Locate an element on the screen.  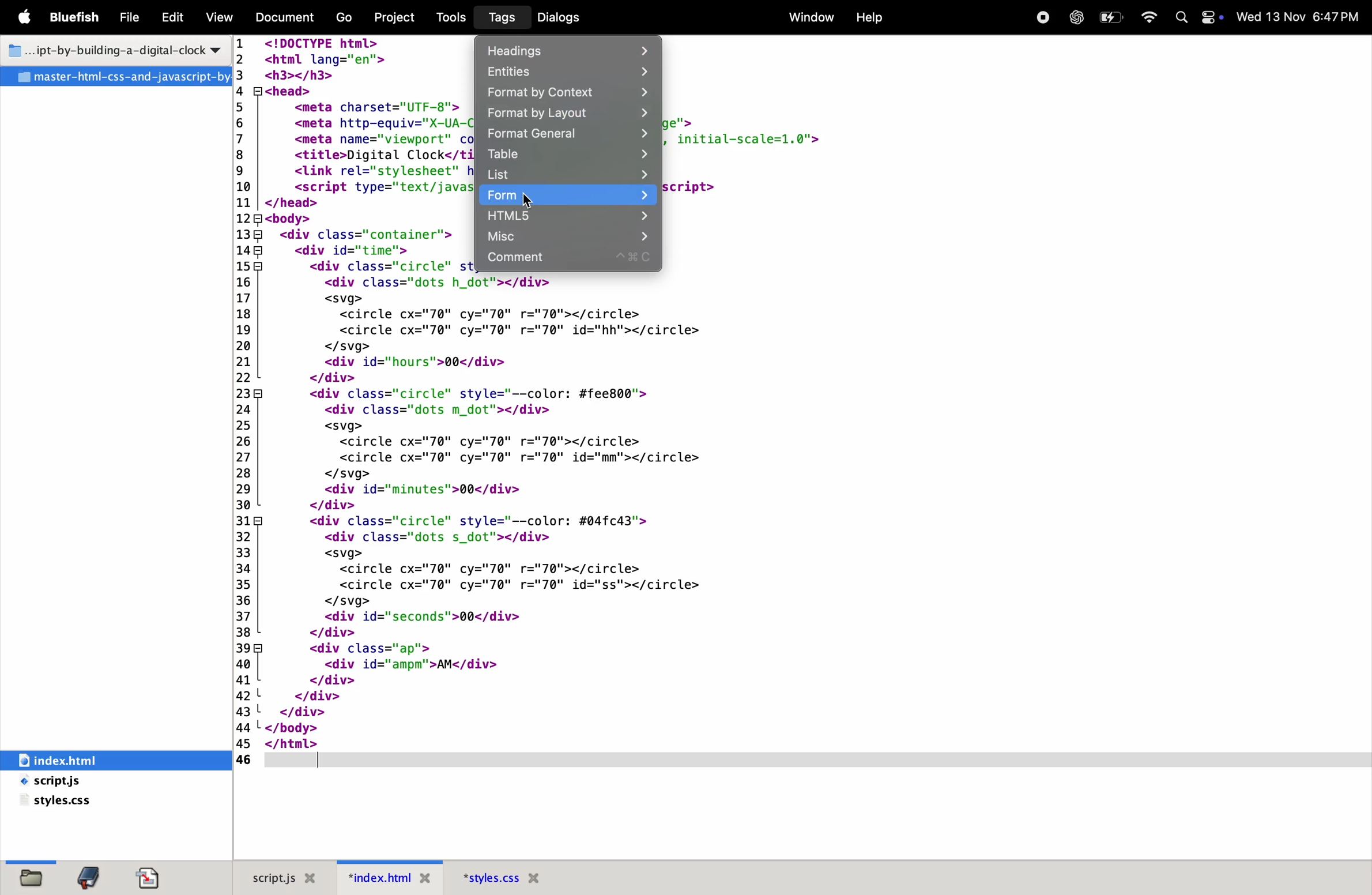
Battery is located at coordinates (1113, 16).